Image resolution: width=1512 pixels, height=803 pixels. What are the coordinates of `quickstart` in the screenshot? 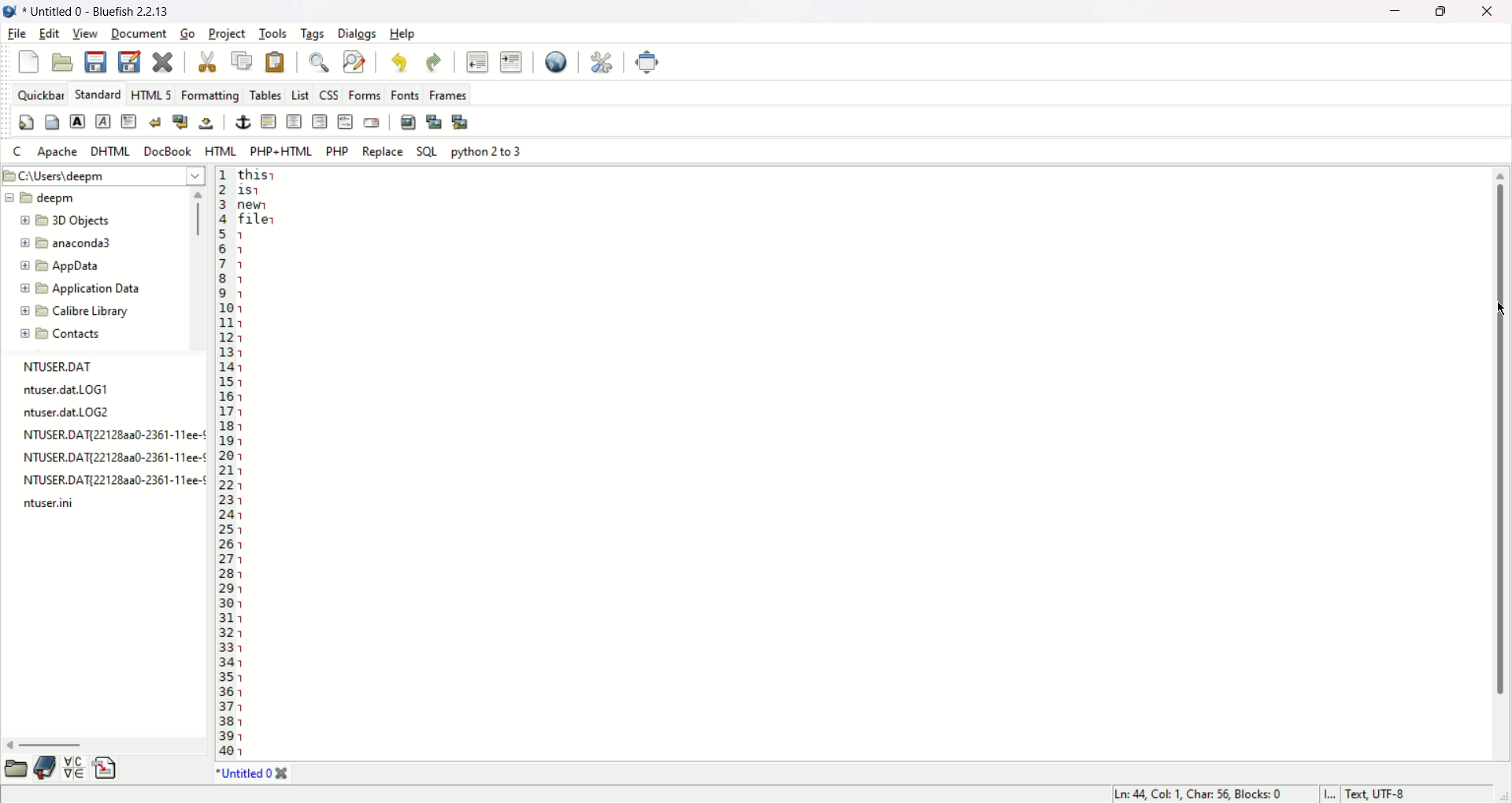 It's located at (25, 124).